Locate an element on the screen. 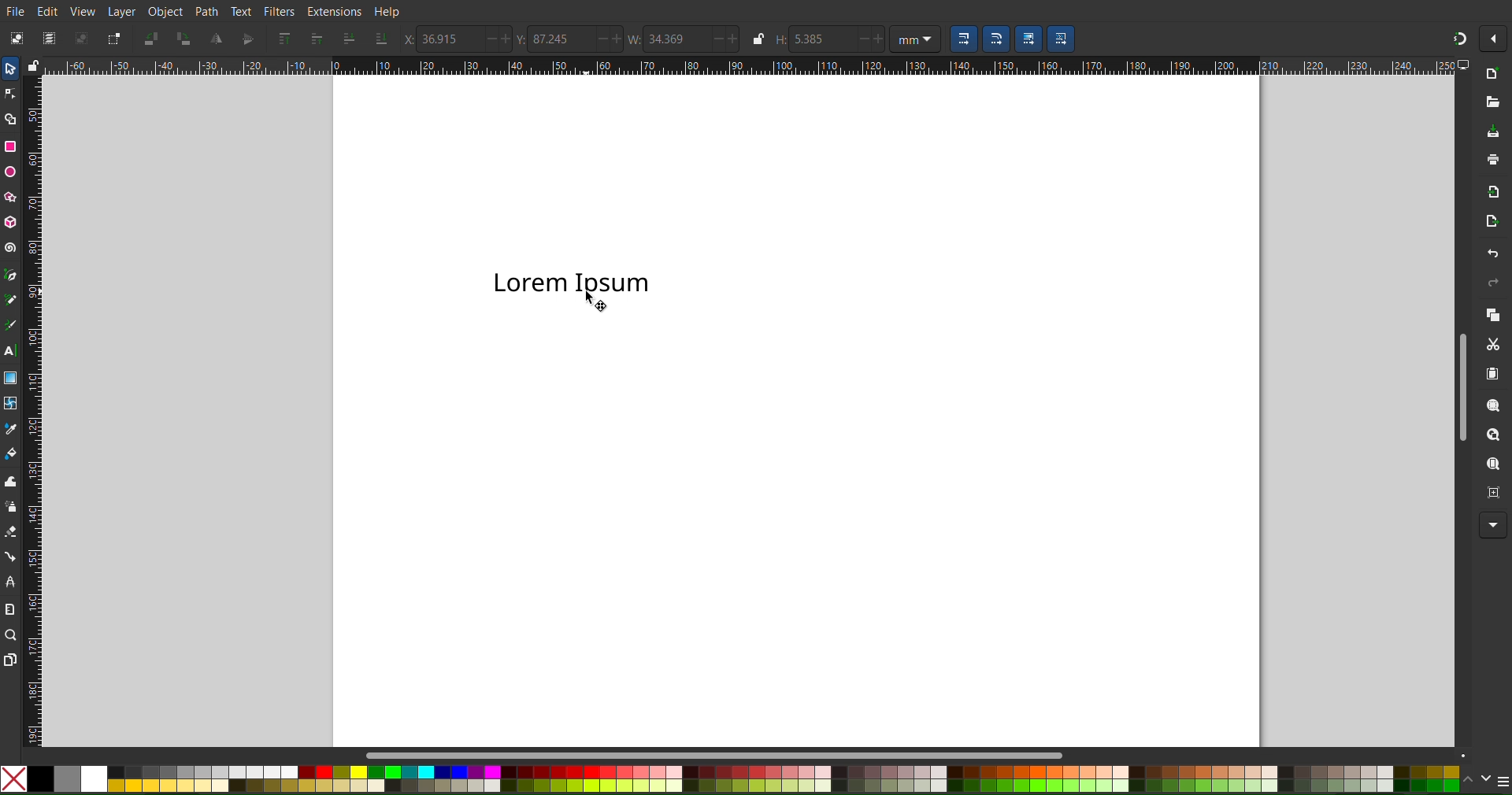 The width and height of the screenshot is (1512, 795). 3D Box Tool is located at coordinates (10, 221).